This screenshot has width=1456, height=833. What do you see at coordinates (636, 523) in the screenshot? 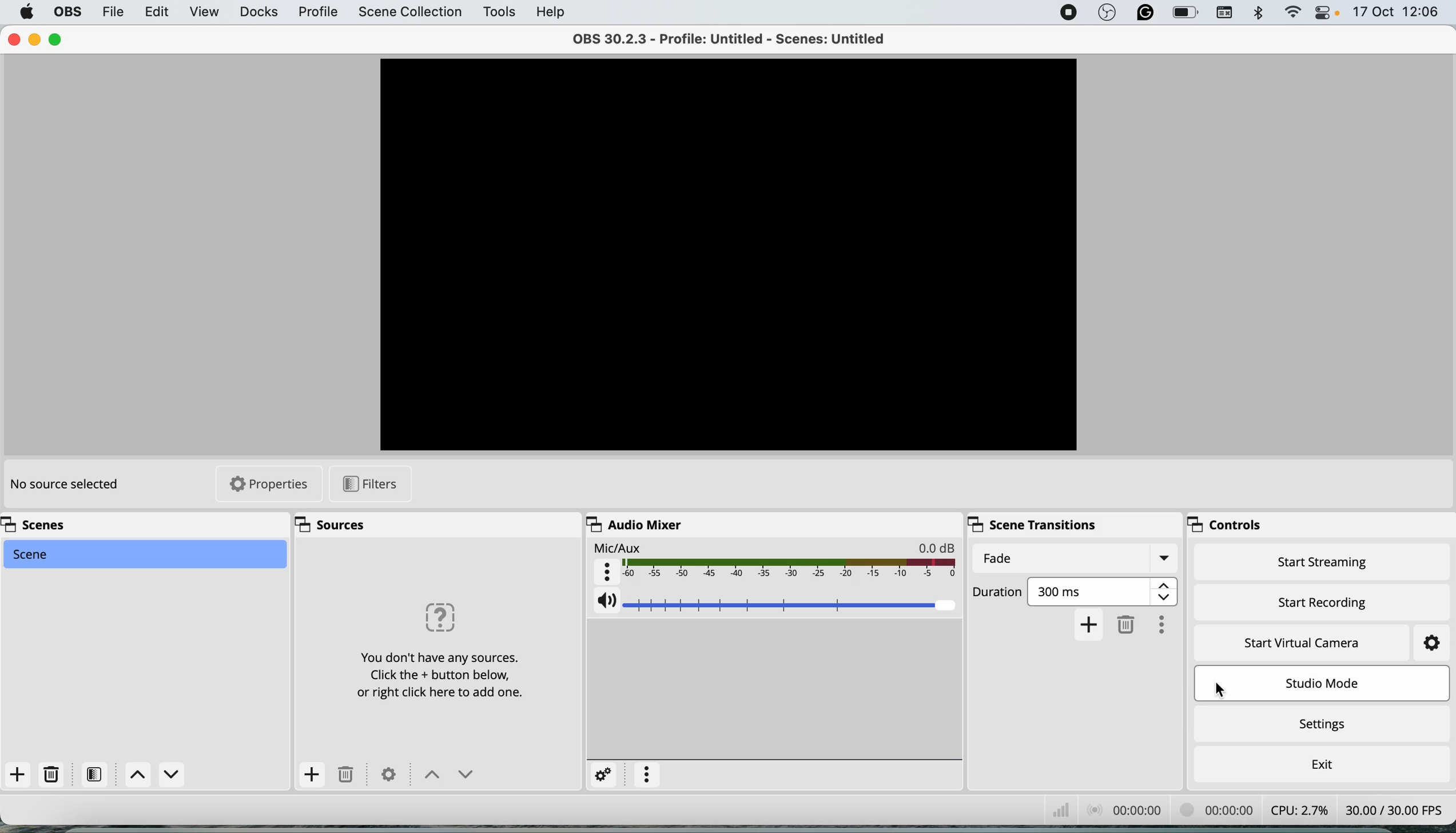
I see `audio mixer` at bounding box center [636, 523].